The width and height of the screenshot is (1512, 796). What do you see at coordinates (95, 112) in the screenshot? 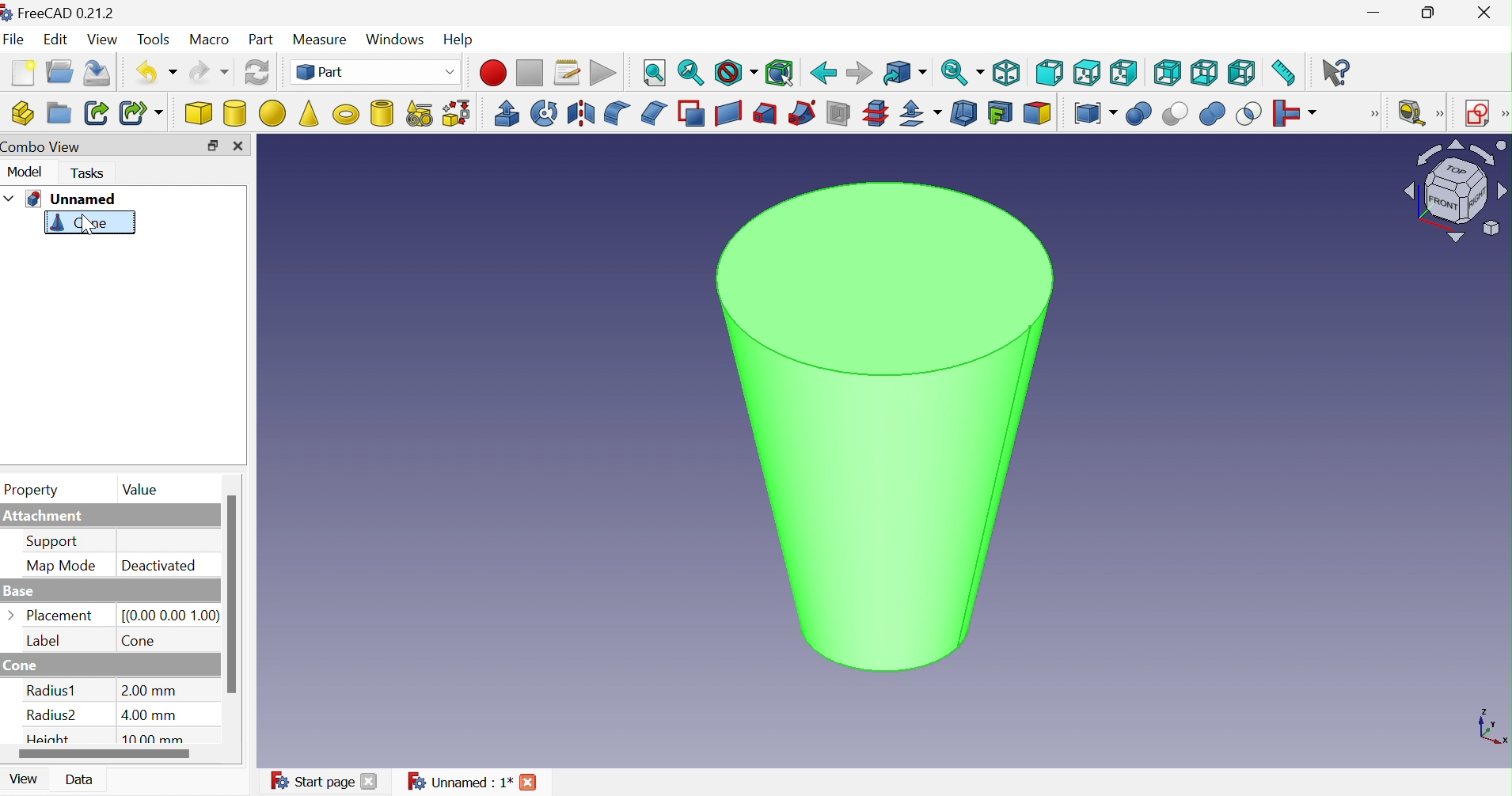
I see `Make link` at bounding box center [95, 112].